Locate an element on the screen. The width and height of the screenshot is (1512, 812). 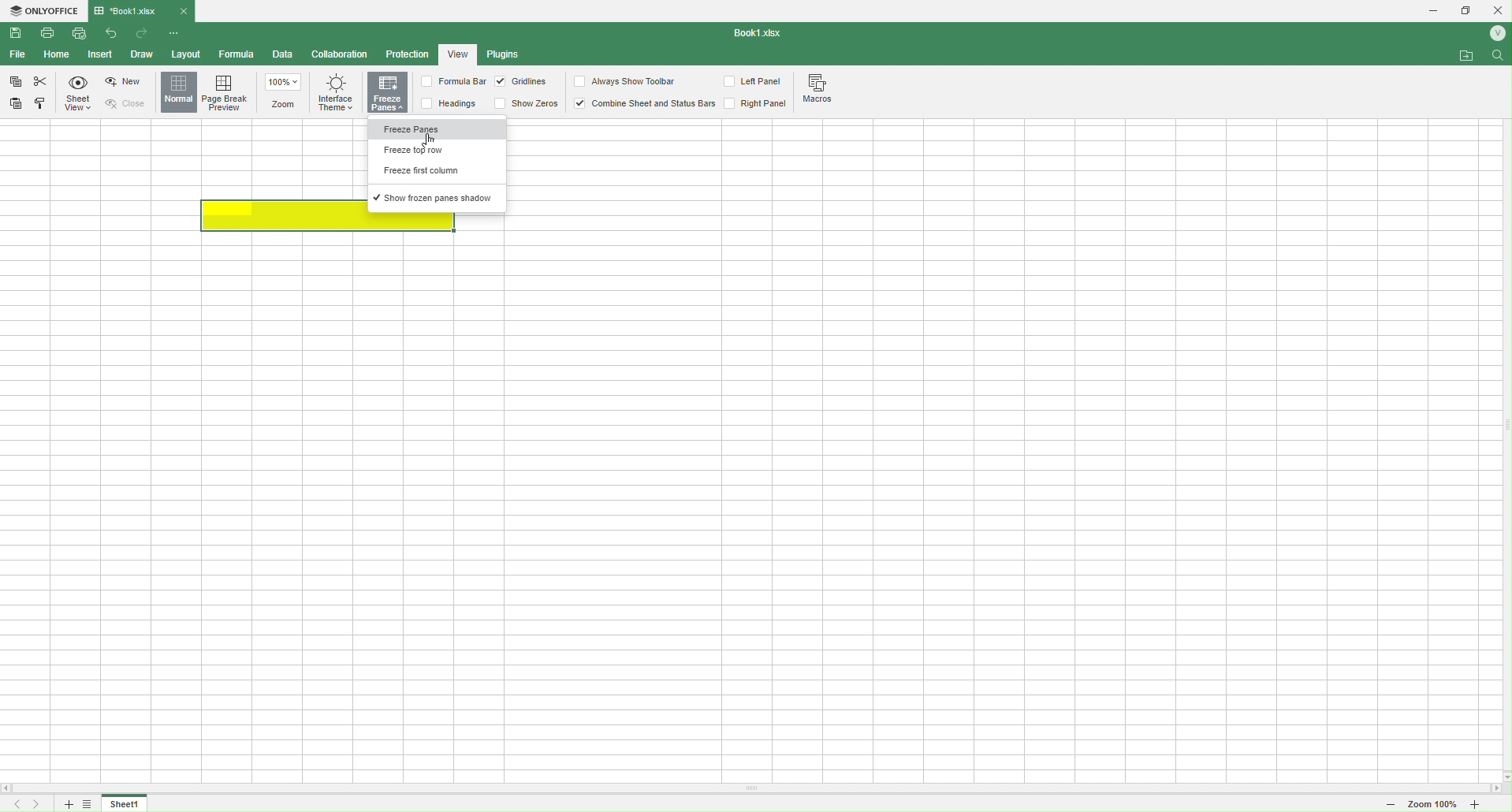
Cells is located at coordinates (743, 501).